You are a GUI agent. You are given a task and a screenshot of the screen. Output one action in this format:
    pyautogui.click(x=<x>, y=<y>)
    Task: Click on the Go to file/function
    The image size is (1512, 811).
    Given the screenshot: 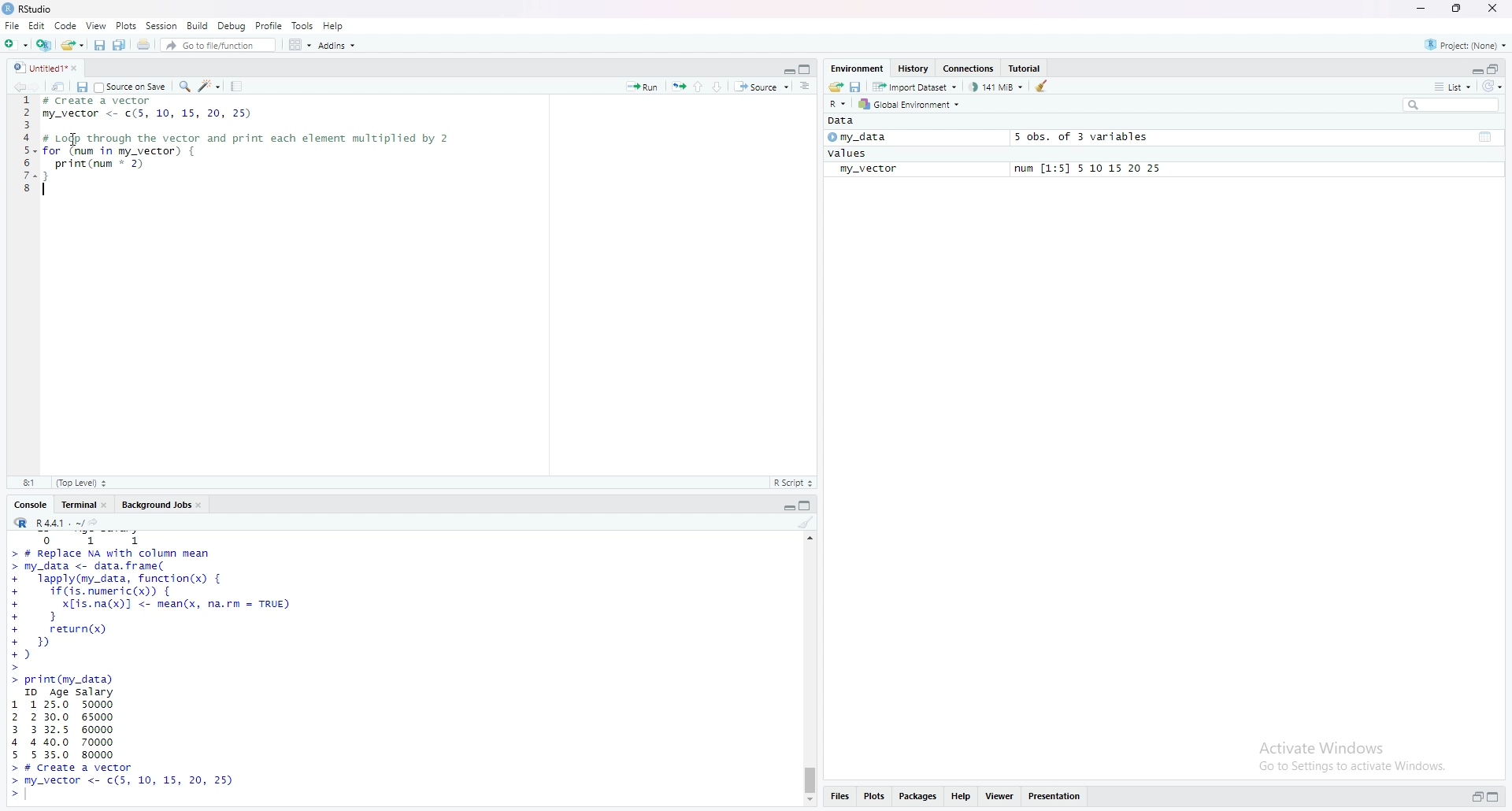 What is the action you would take?
    pyautogui.click(x=217, y=46)
    